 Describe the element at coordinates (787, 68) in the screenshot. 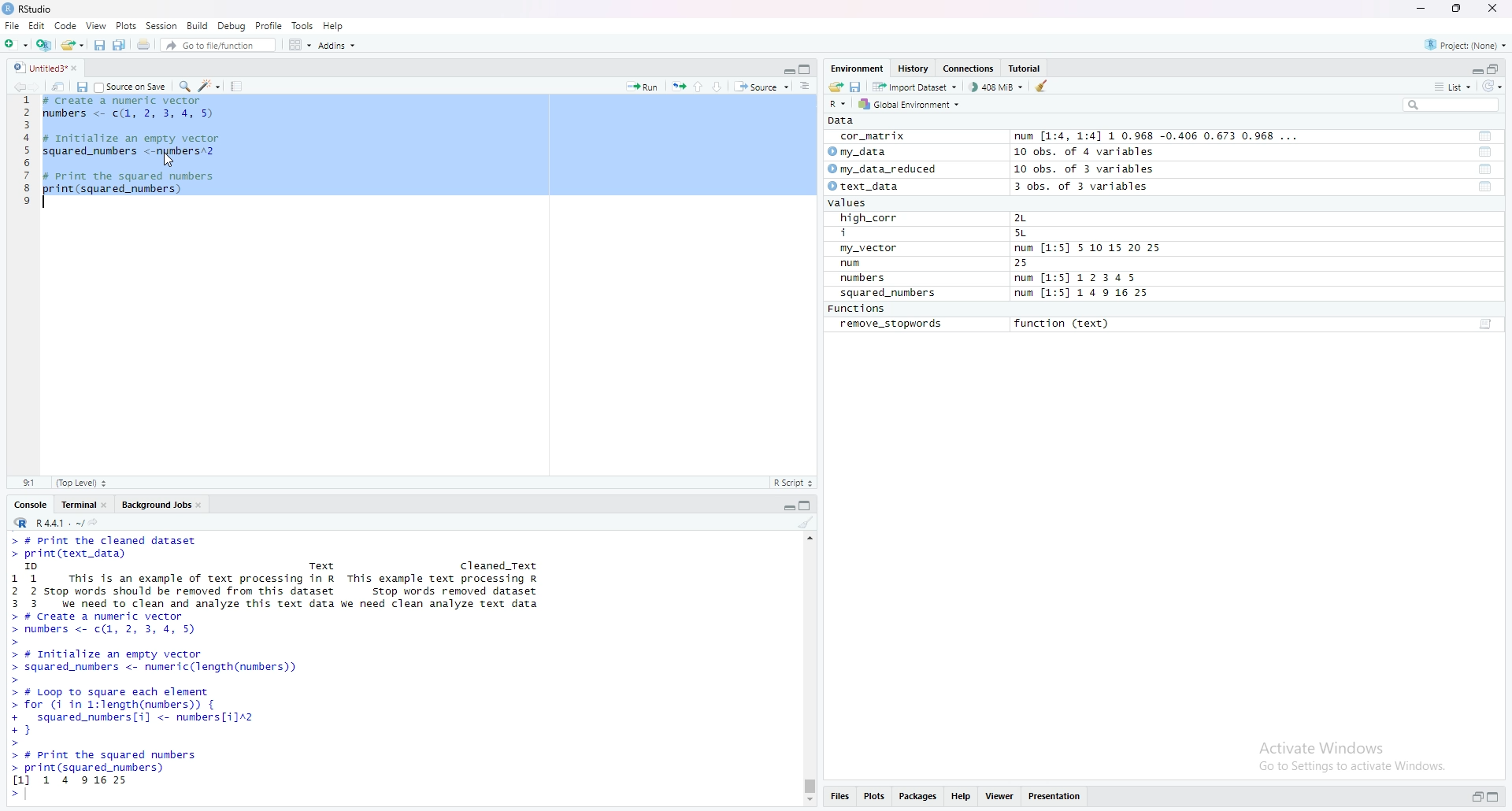

I see `minimize` at that location.